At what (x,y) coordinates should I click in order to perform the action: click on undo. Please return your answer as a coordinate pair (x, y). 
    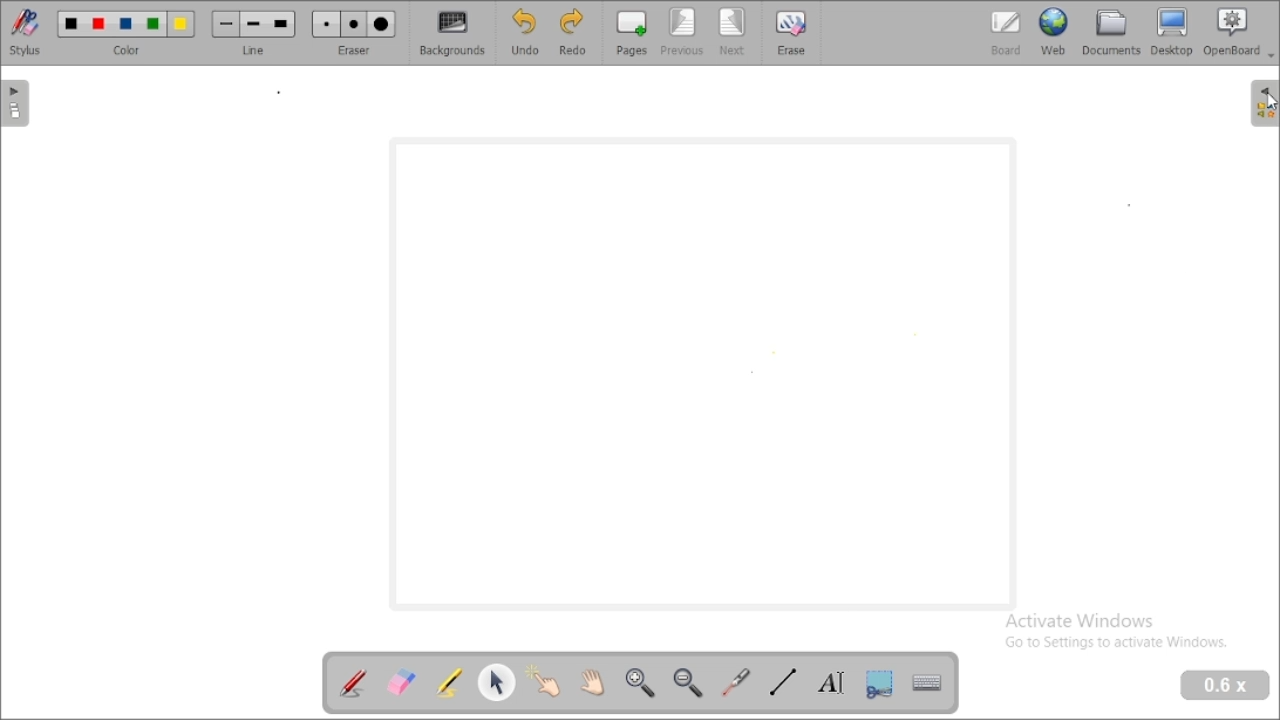
    Looking at the image, I should click on (525, 32).